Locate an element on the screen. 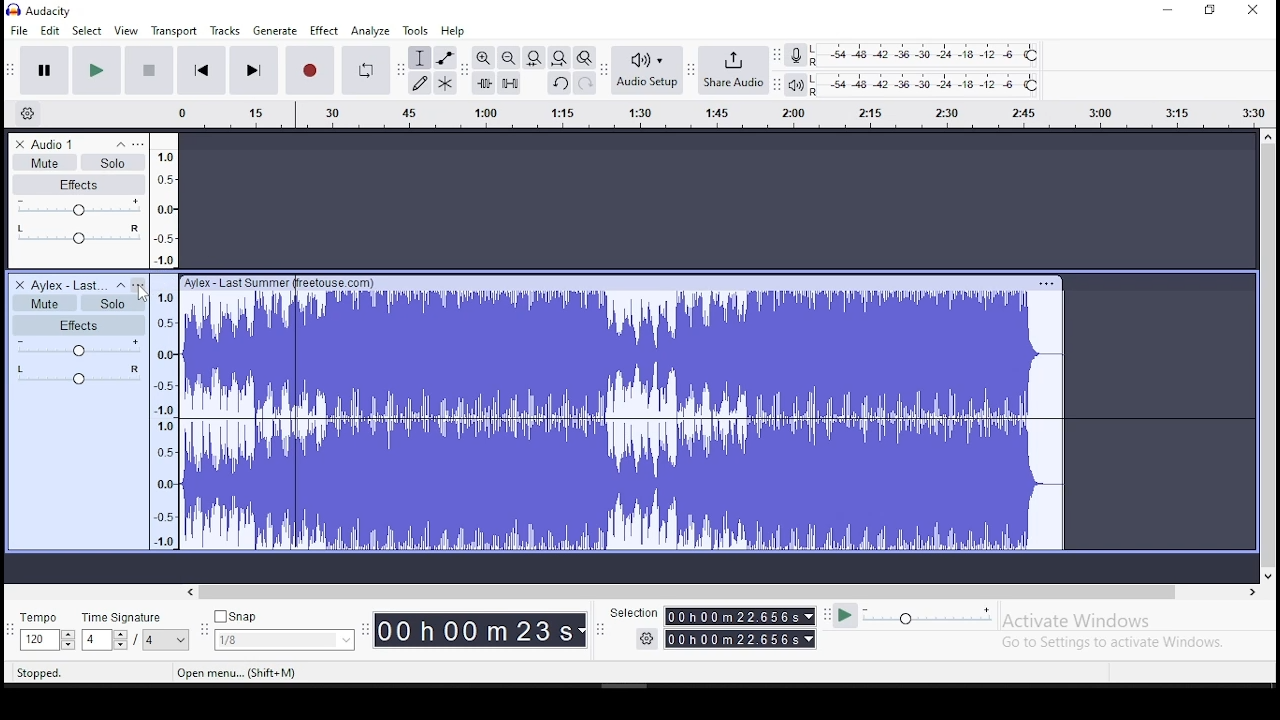 The image size is (1280, 720). snap is located at coordinates (239, 617).